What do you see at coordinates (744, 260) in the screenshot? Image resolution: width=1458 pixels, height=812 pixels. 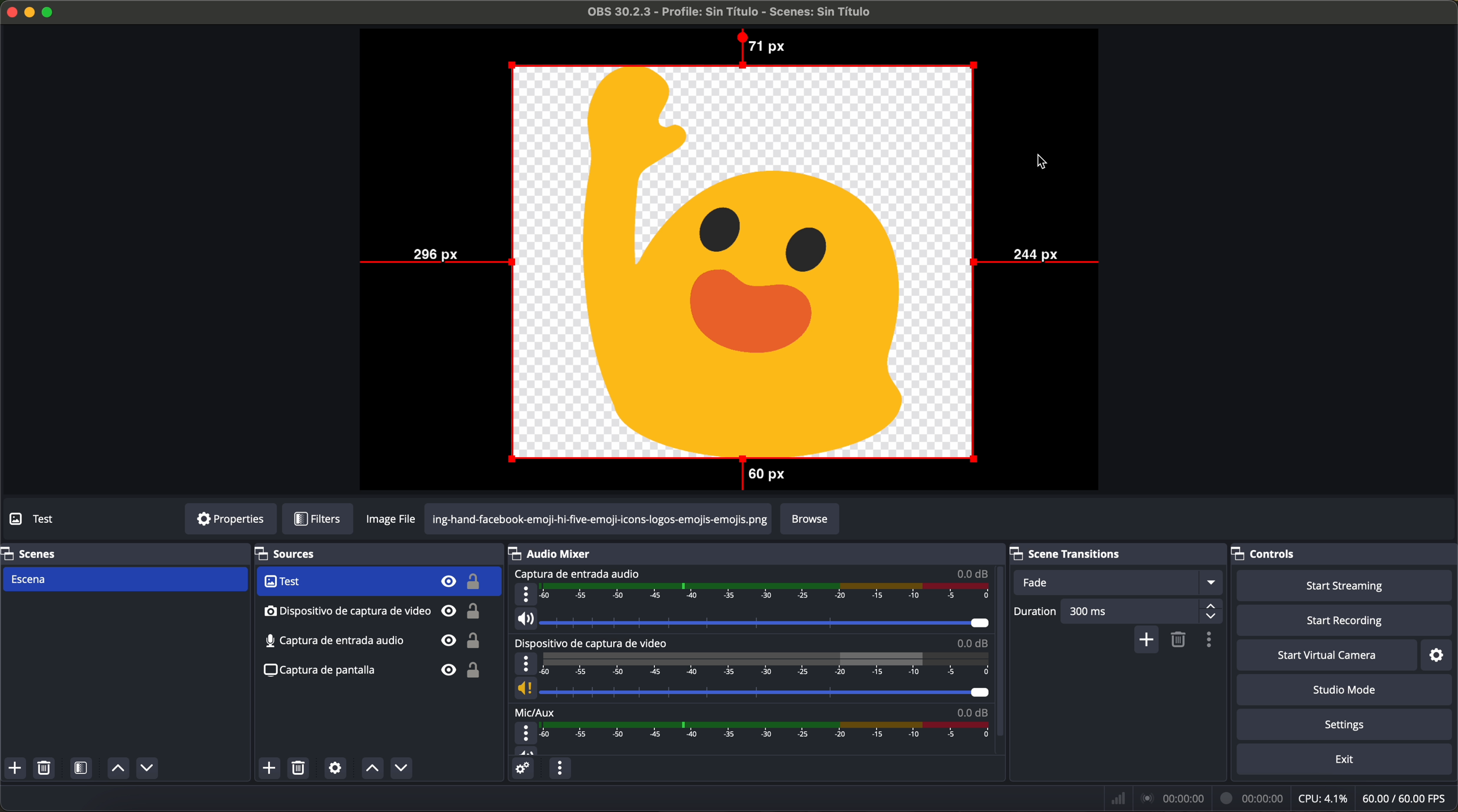 I see `image moved to the center` at bounding box center [744, 260].